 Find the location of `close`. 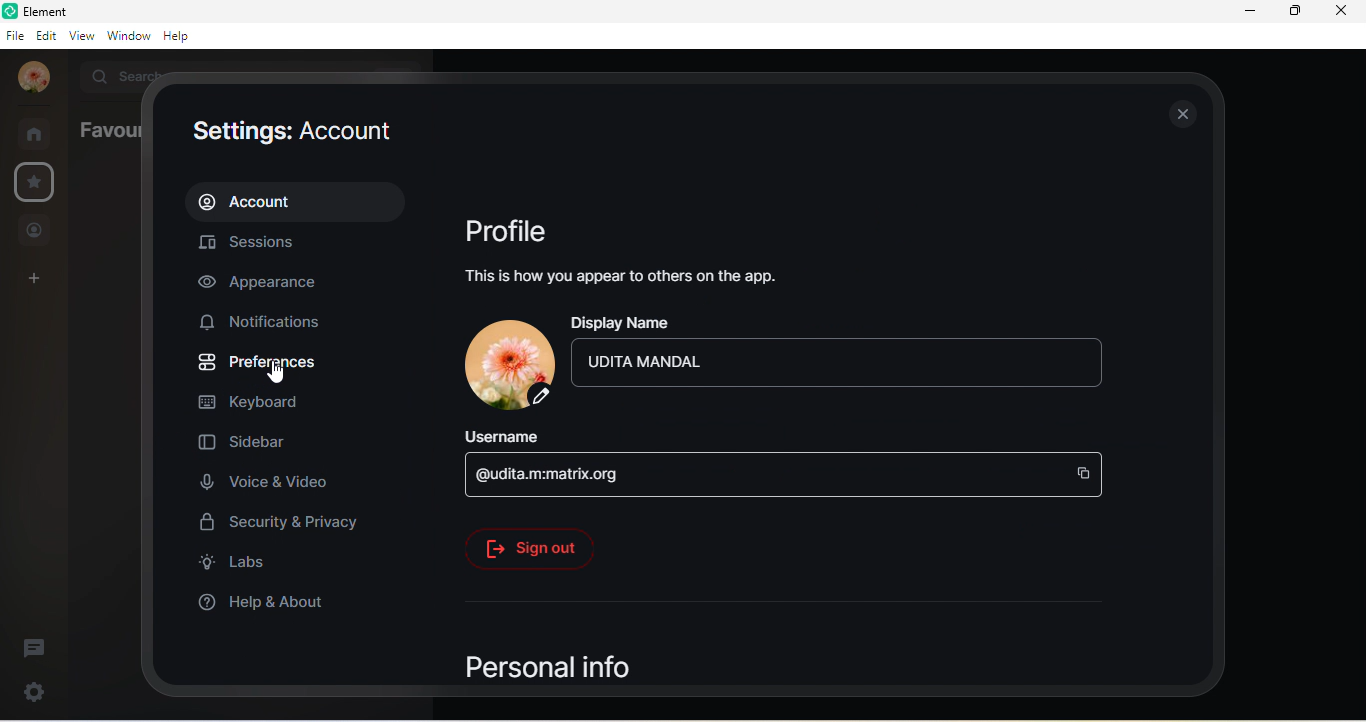

close is located at coordinates (1346, 14).